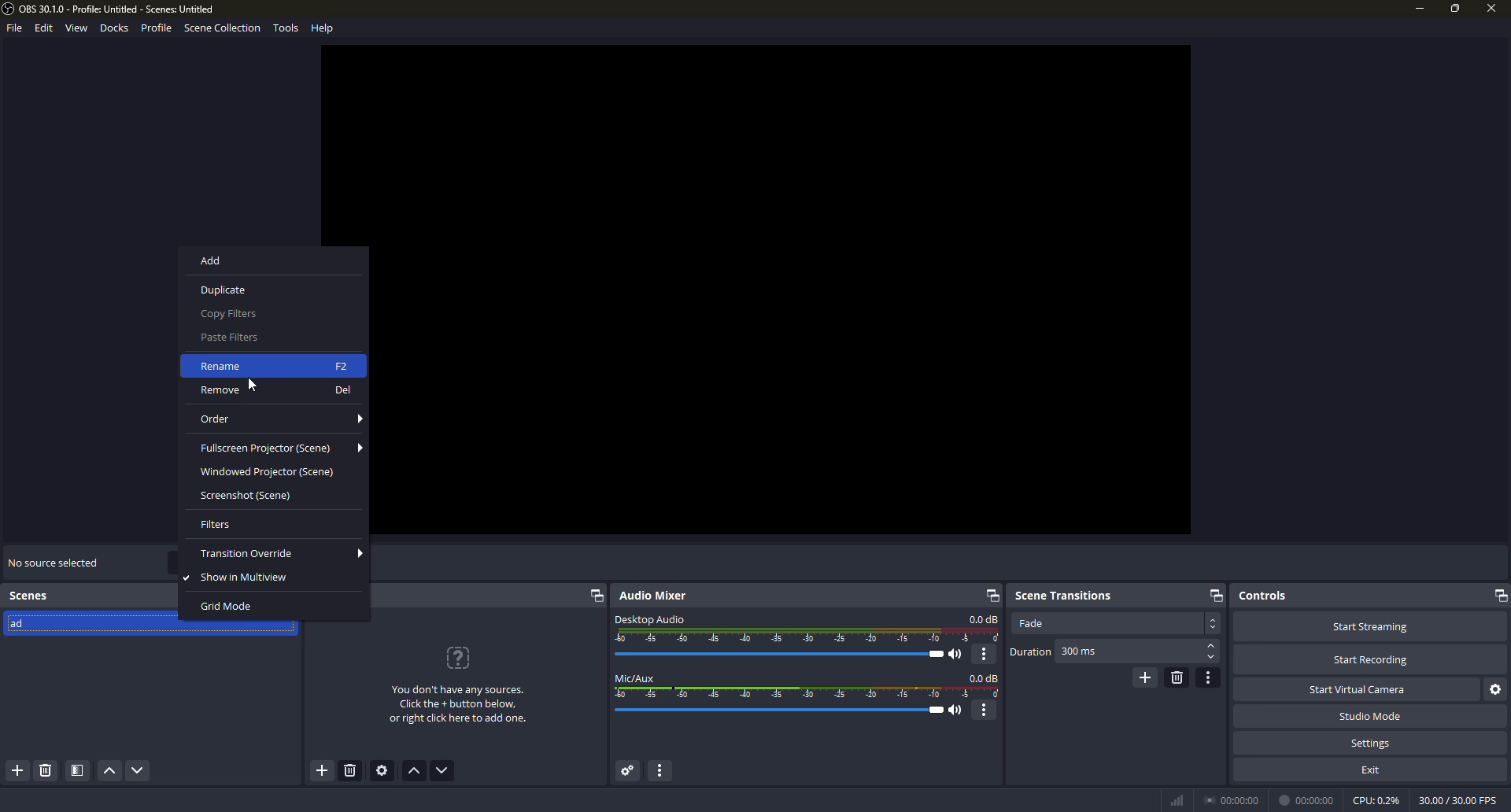 This screenshot has width=1511, height=812. What do you see at coordinates (268, 315) in the screenshot?
I see `Copy Filters` at bounding box center [268, 315].